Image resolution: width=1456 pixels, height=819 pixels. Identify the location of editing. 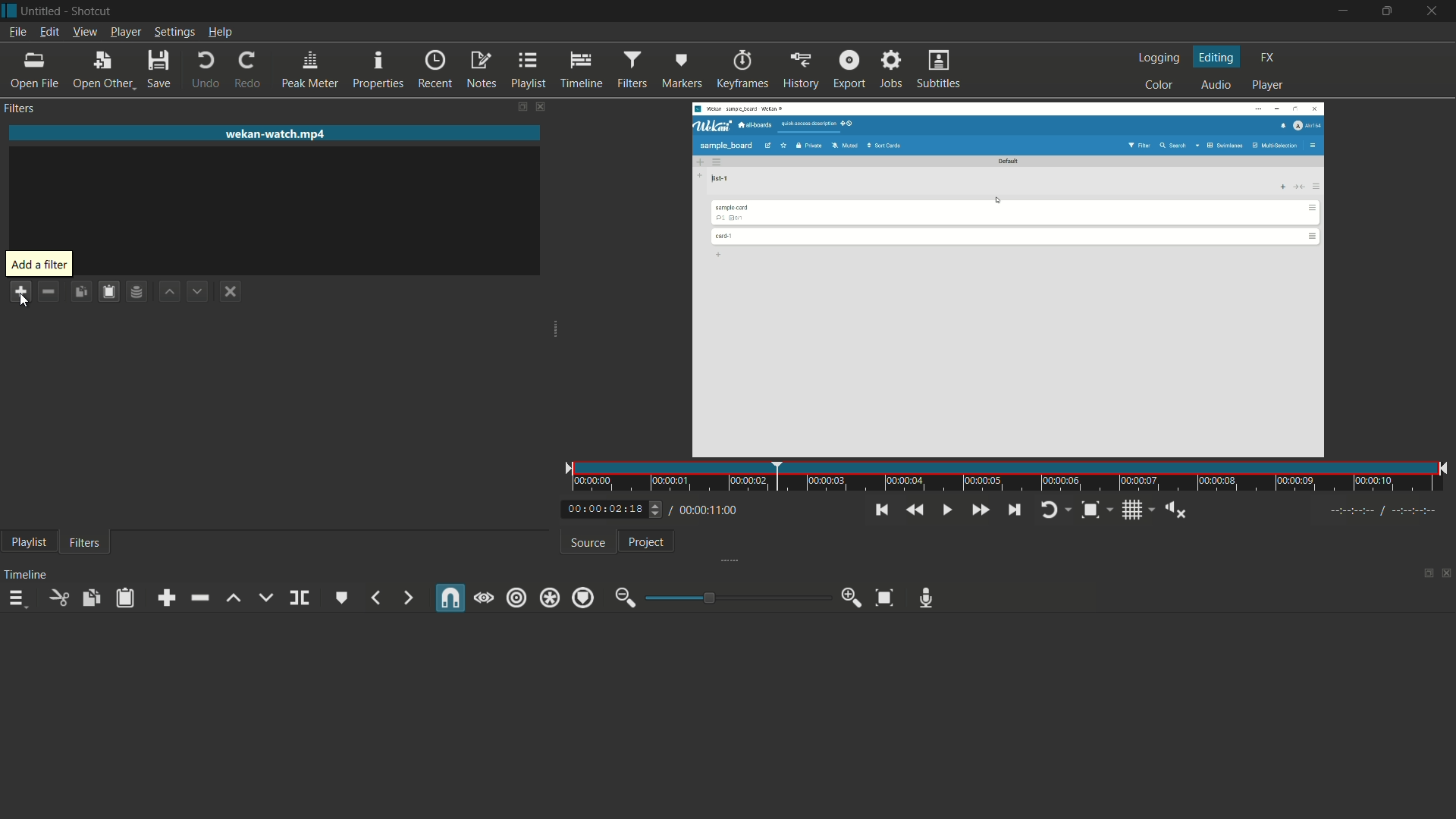
(1219, 58).